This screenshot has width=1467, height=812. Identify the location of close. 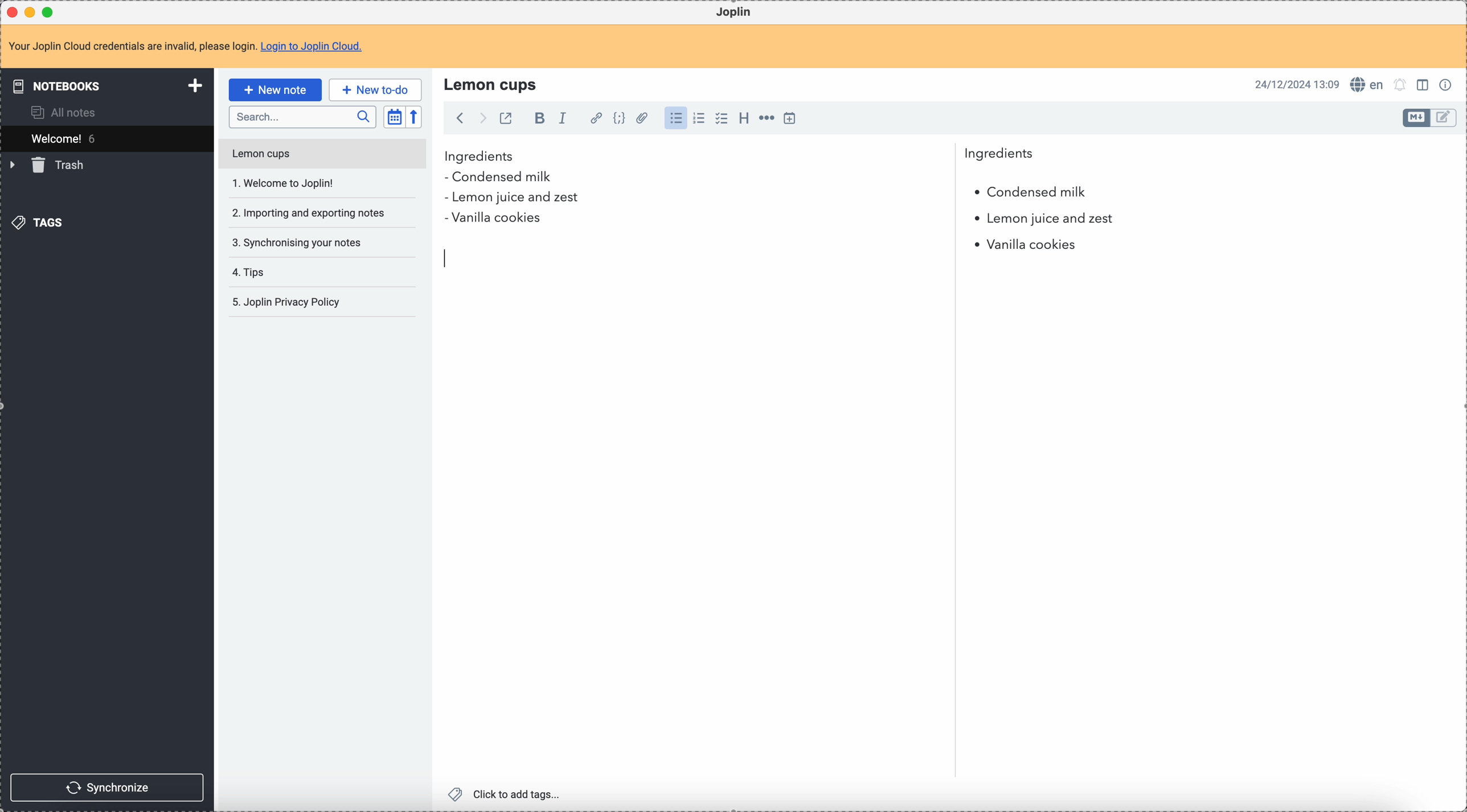
(14, 13).